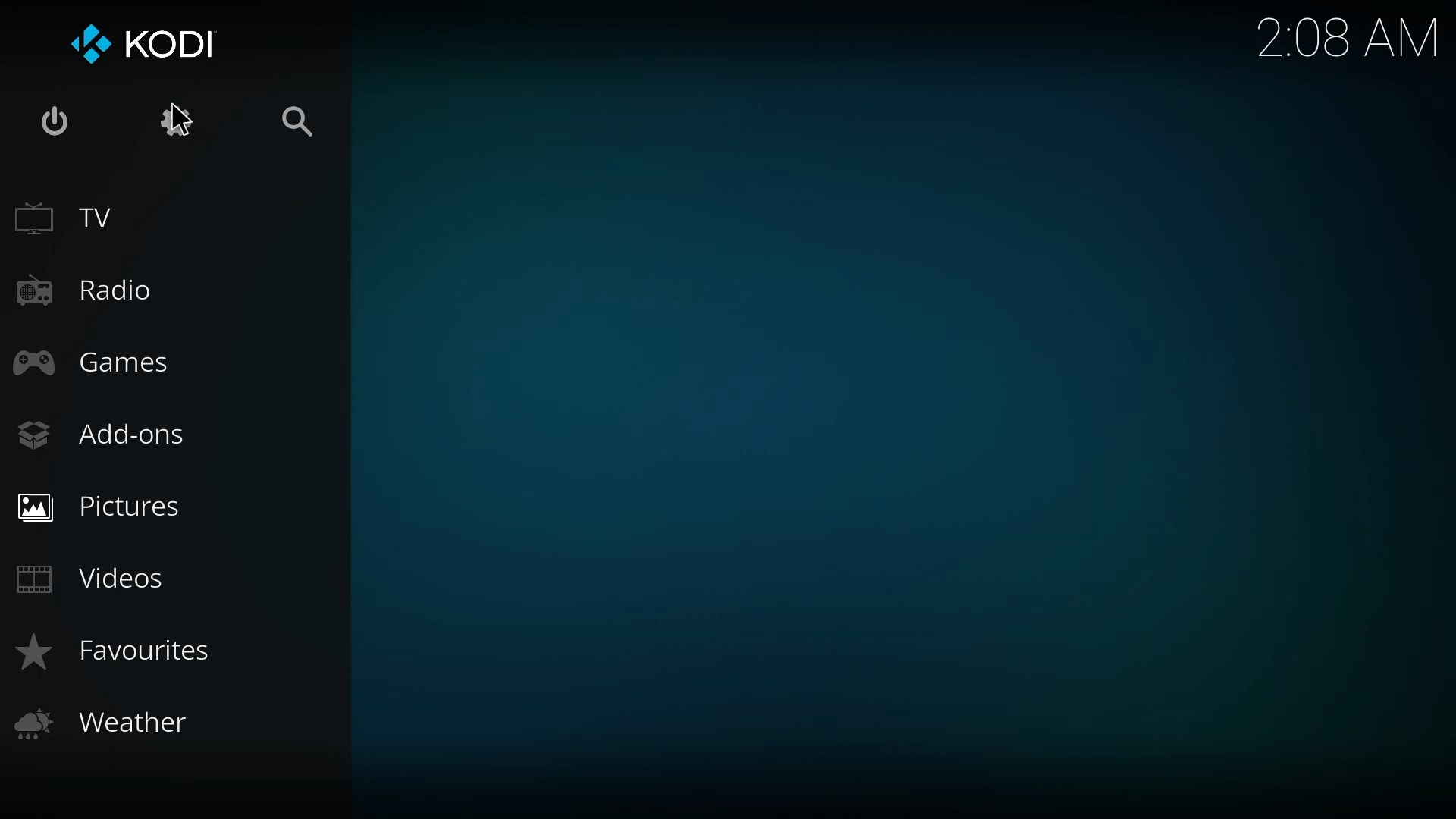 The height and width of the screenshot is (819, 1456). I want to click on games, so click(96, 362).